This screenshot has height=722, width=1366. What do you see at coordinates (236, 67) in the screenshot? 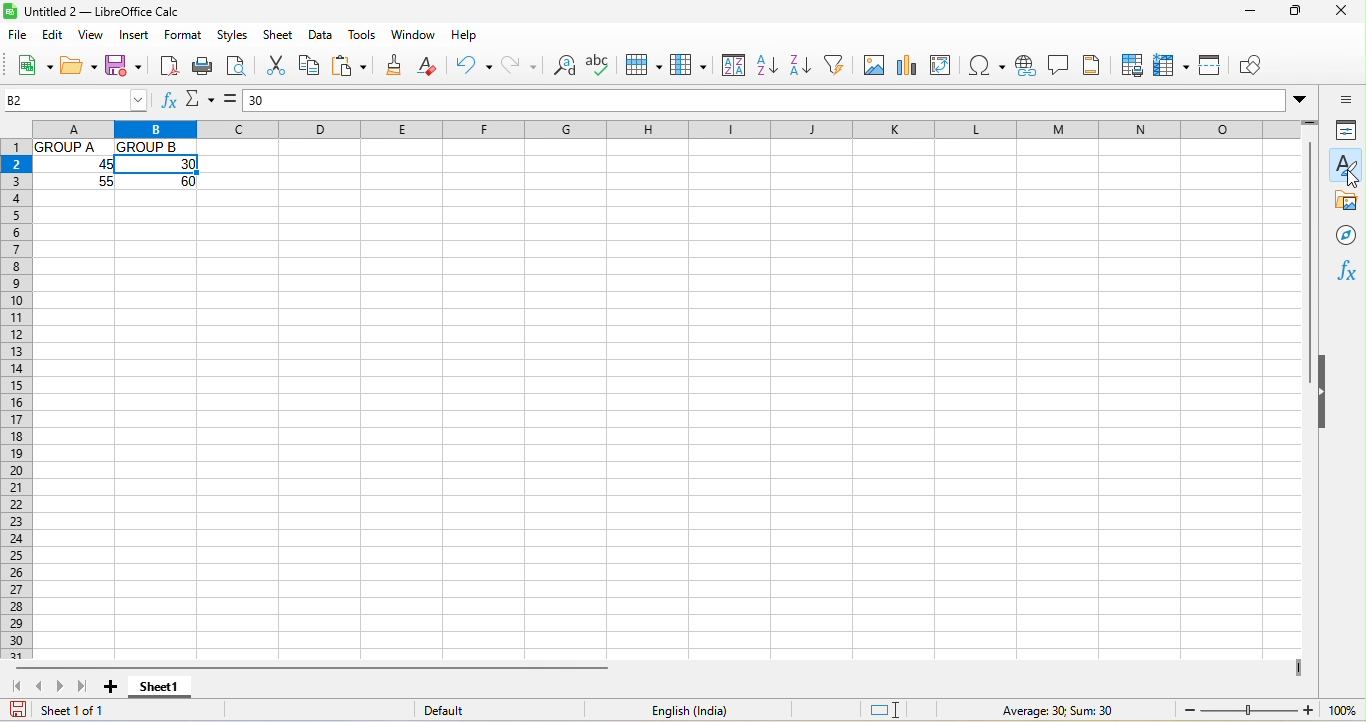
I see `print preview` at bounding box center [236, 67].